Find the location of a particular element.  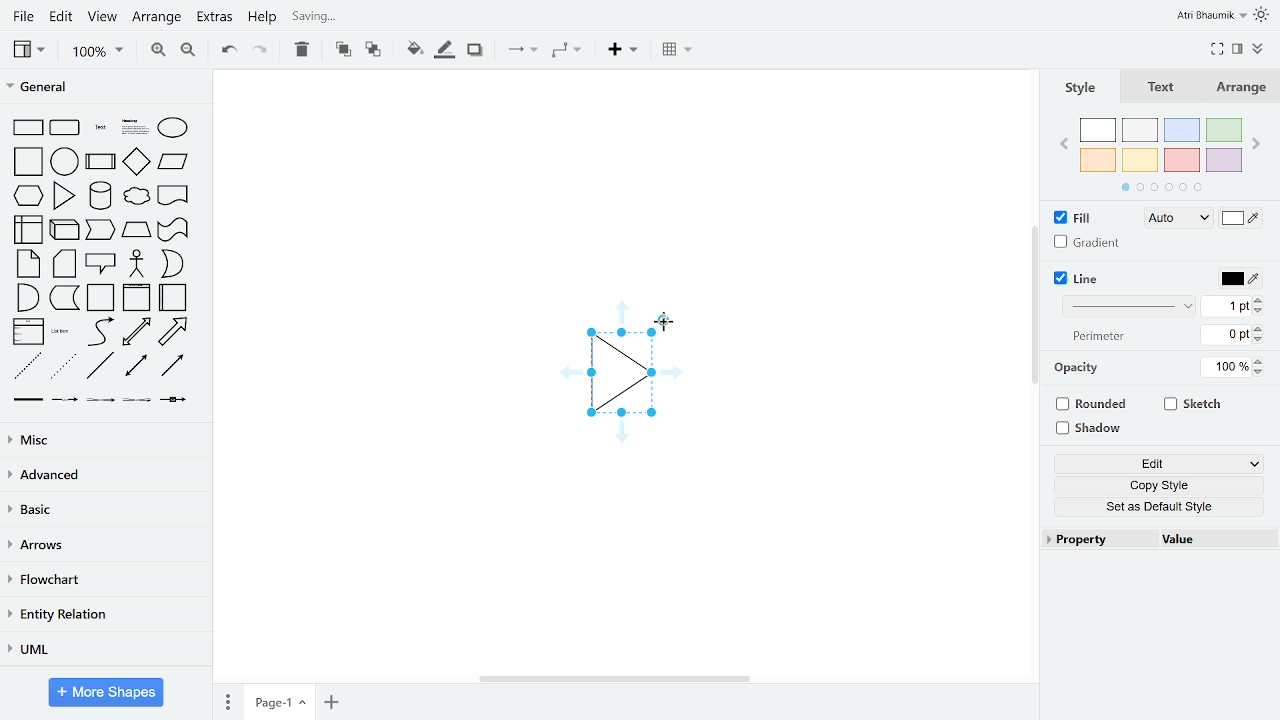

fill color is located at coordinates (1240, 221).